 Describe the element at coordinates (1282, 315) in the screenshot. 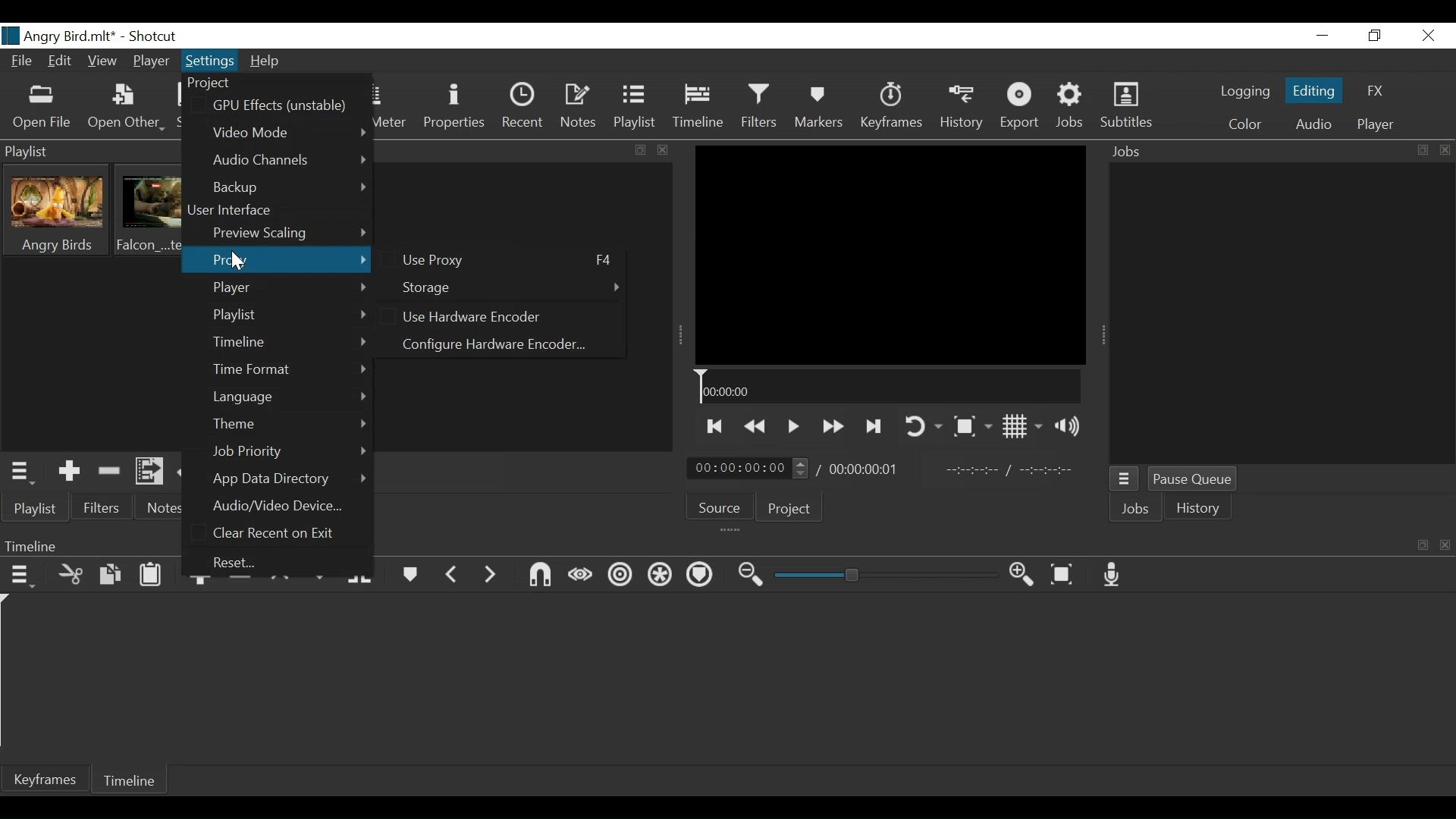

I see `Jobs Panel` at that location.